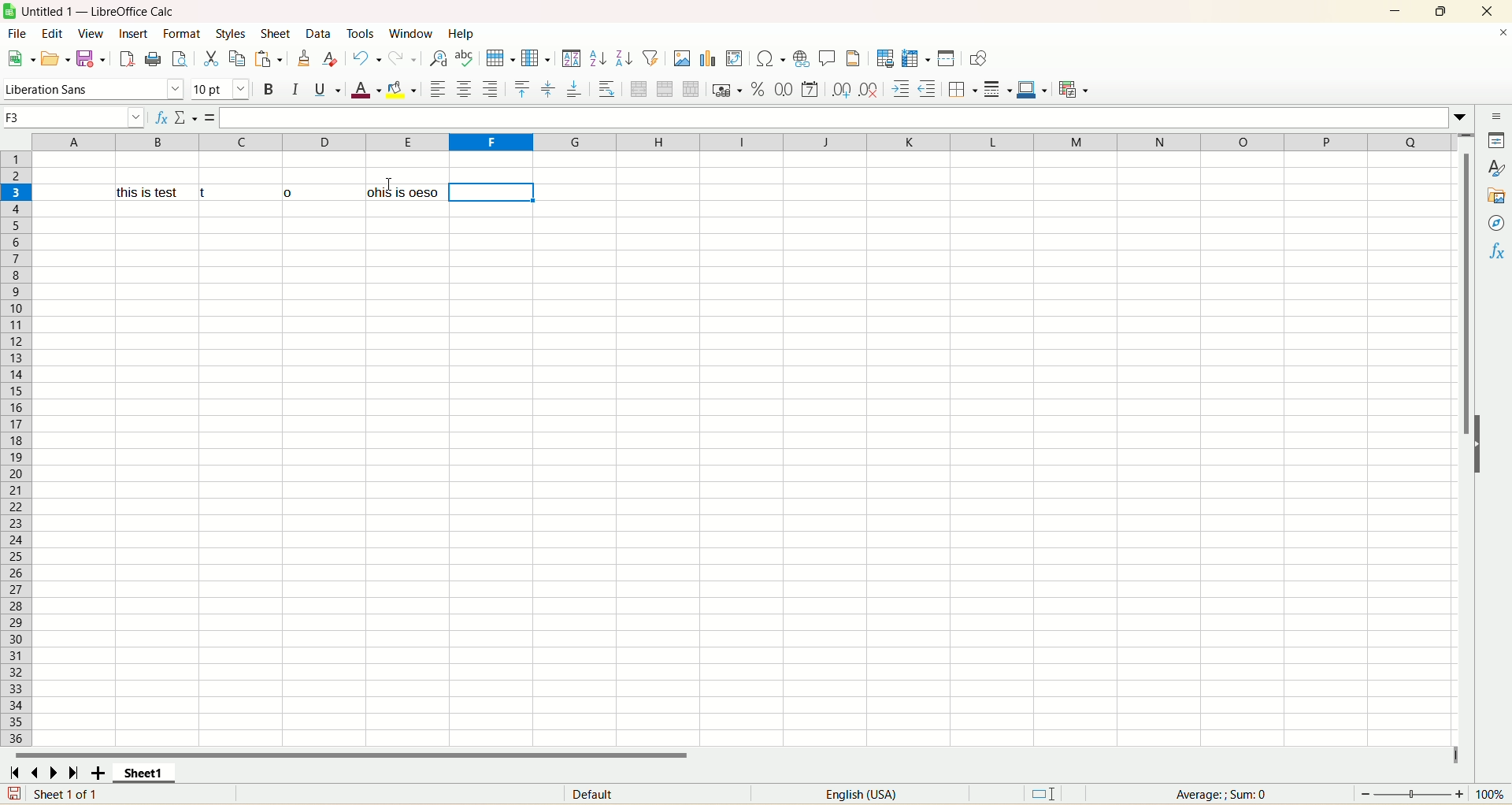 Image resolution: width=1512 pixels, height=805 pixels. I want to click on insert, so click(132, 33).